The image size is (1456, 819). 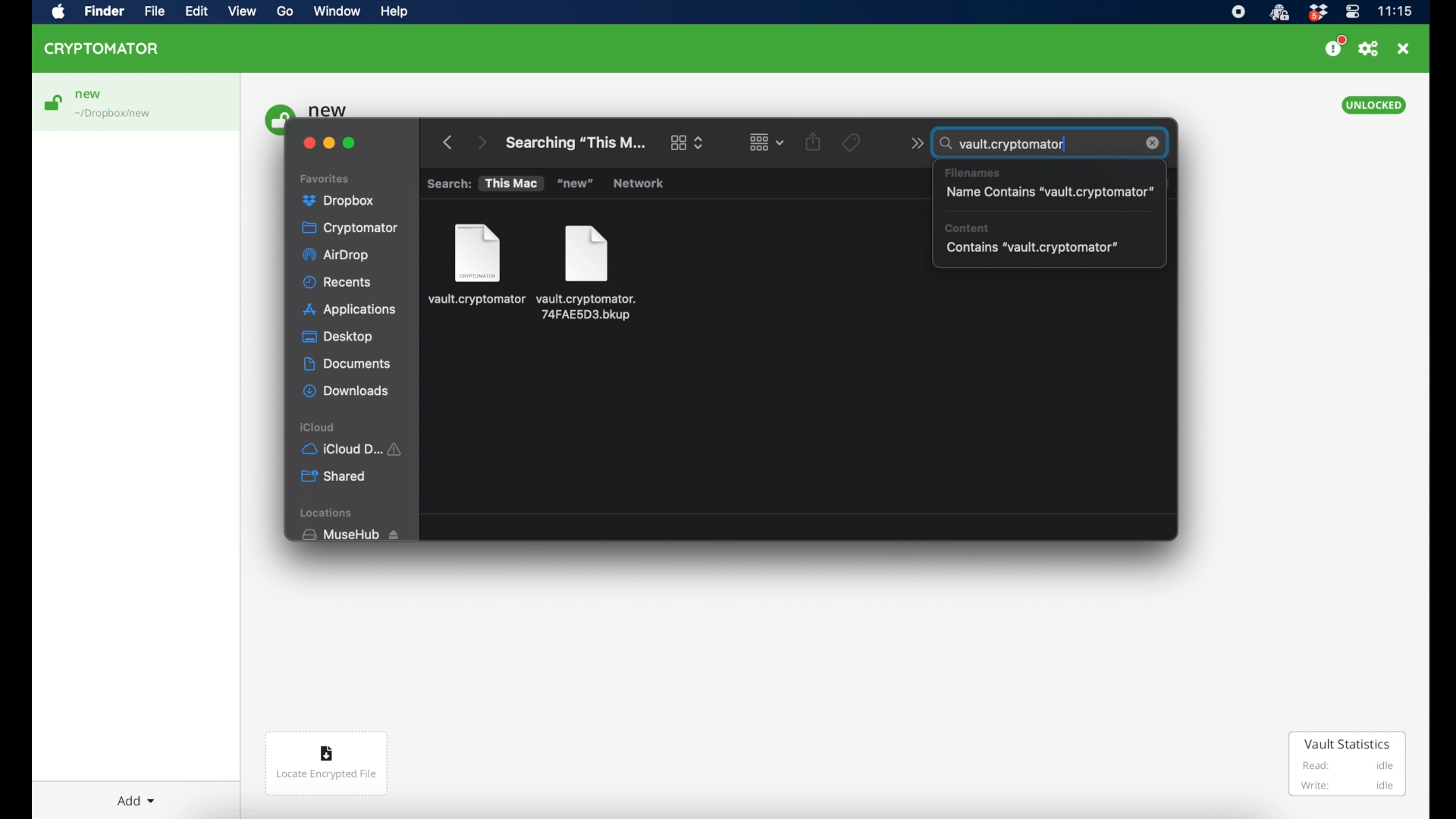 I want to click on help, so click(x=394, y=11).